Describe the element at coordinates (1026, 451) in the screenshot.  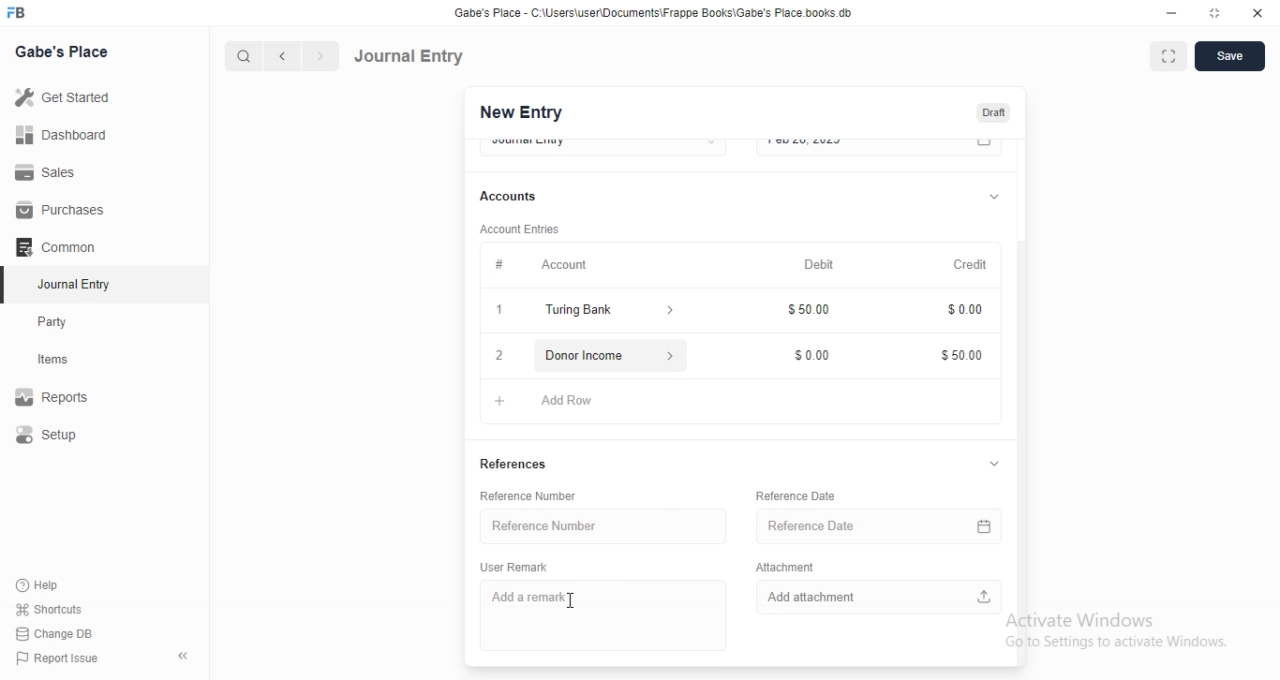
I see `vertical scrollbar` at that location.